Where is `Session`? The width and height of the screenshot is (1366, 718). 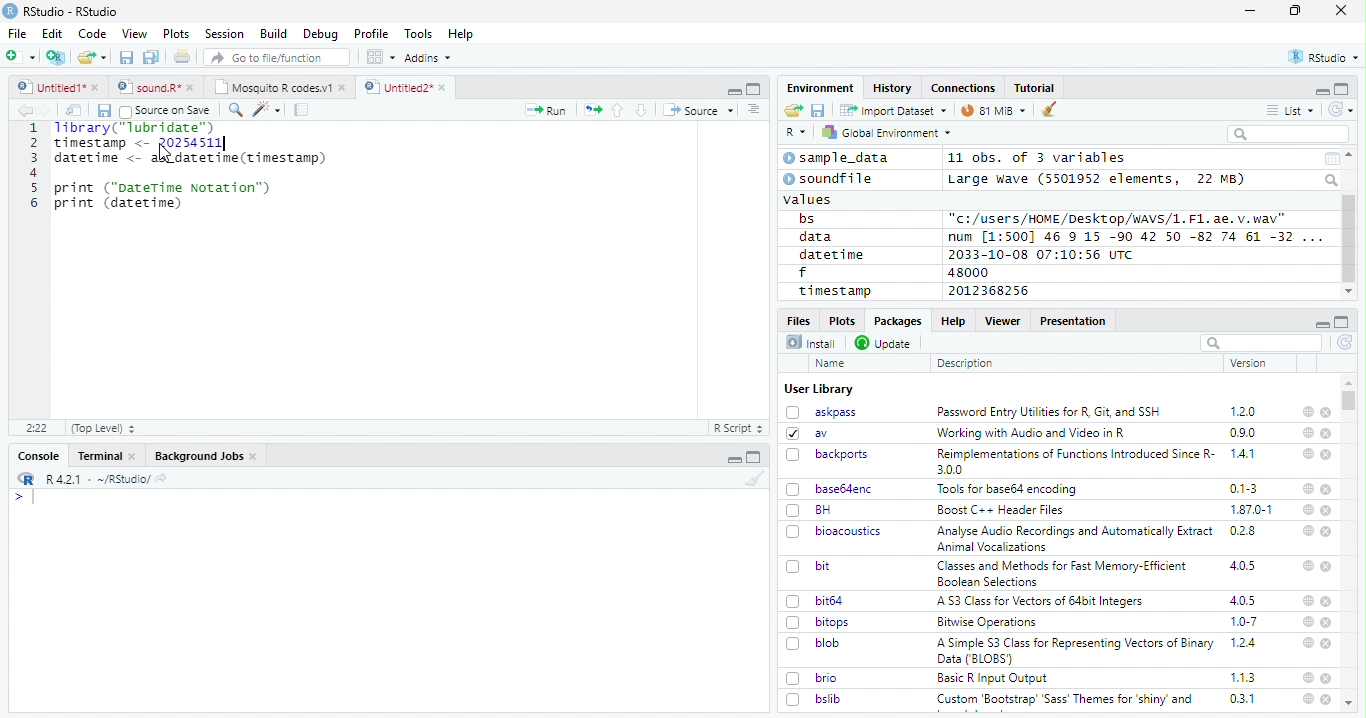 Session is located at coordinates (223, 34).